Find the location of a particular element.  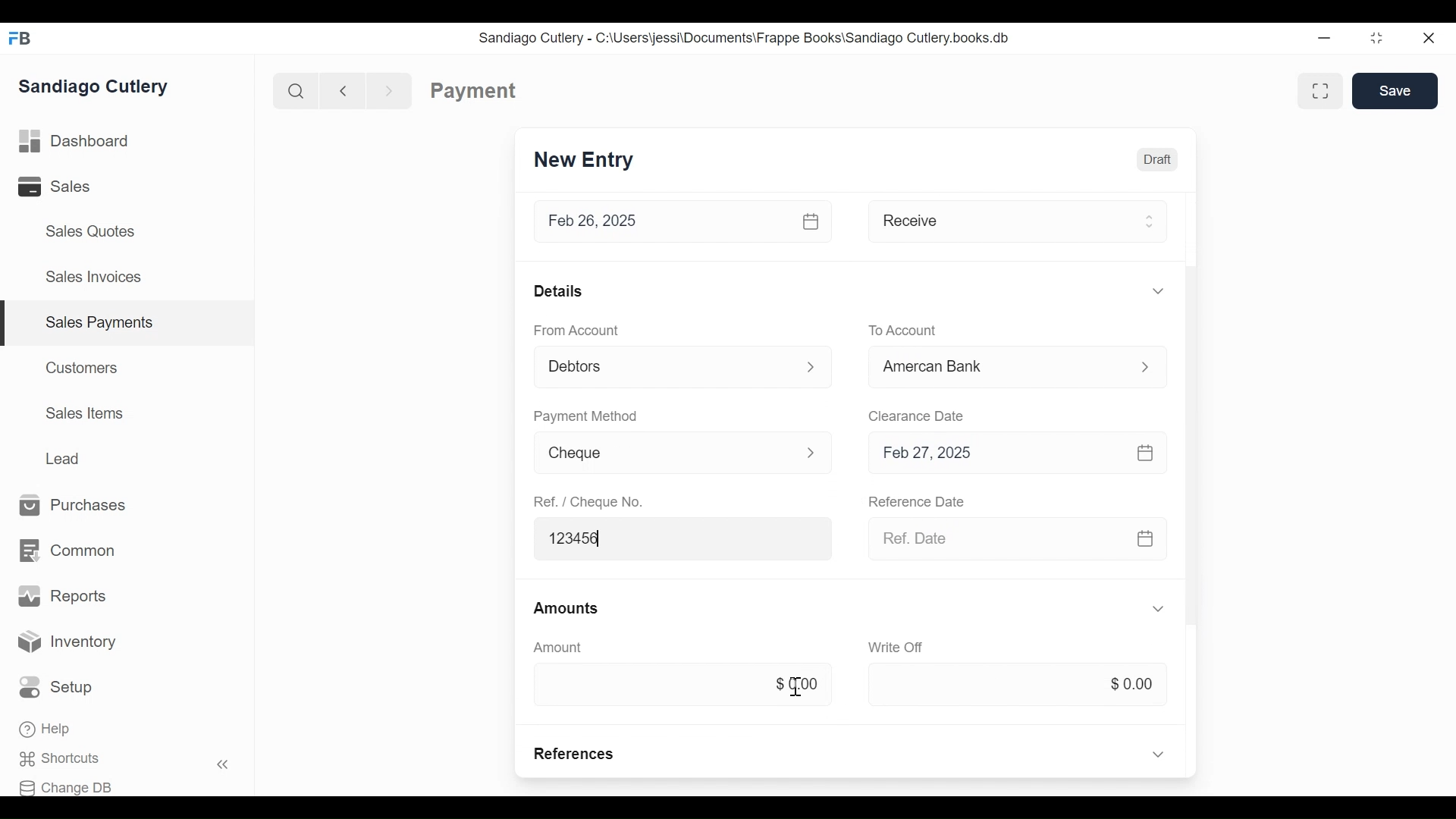

Reference Date is located at coordinates (918, 503).